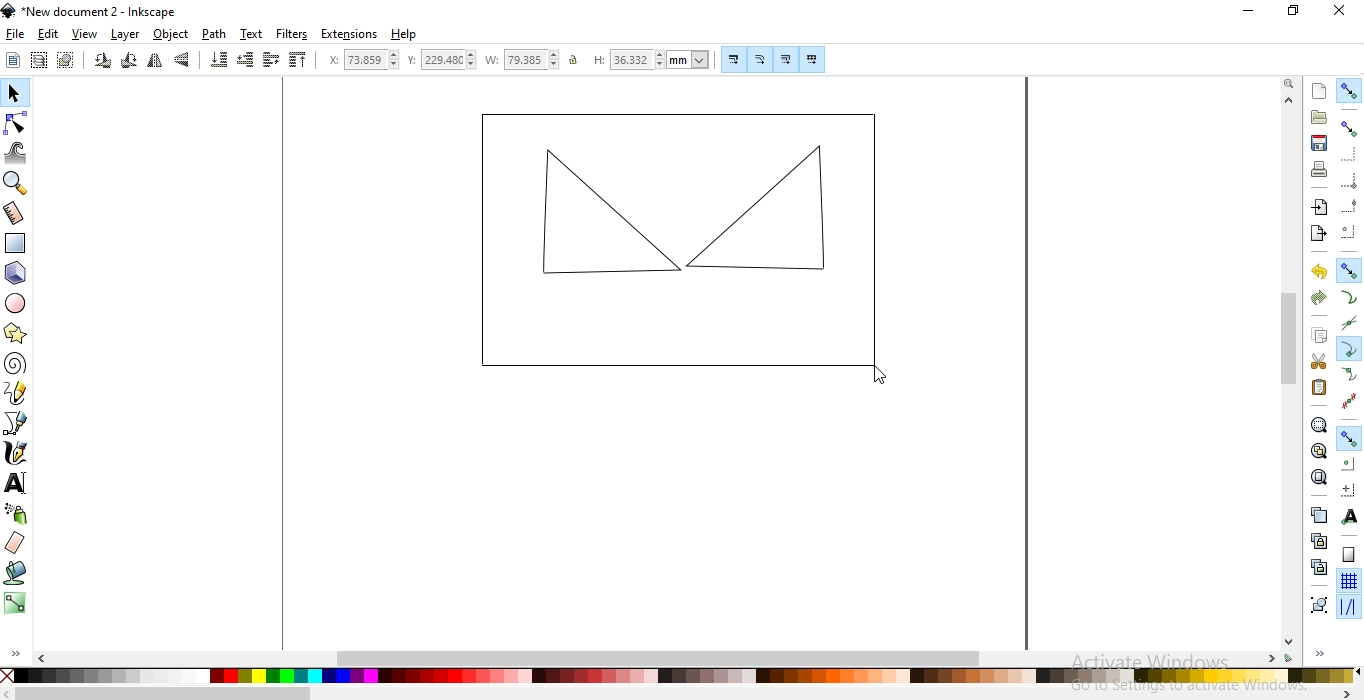 This screenshot has width=1364, height=700. What do you see at coordinates (1351, 373) in the screenshot?
I see `snap smooth nodes` at bounding box center [1351, 373].